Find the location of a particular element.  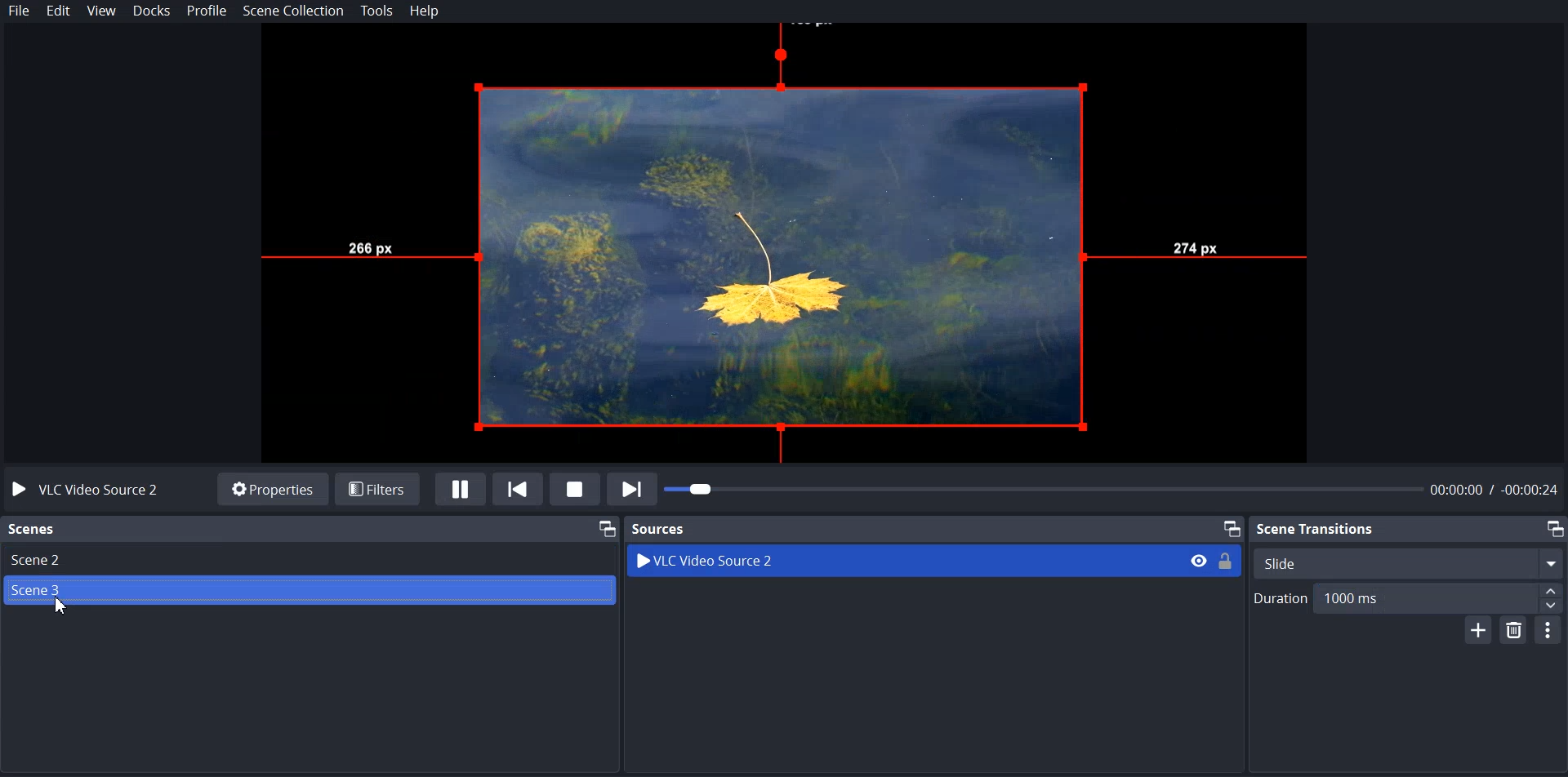

Text 1 is located at coordinates (310, 529).